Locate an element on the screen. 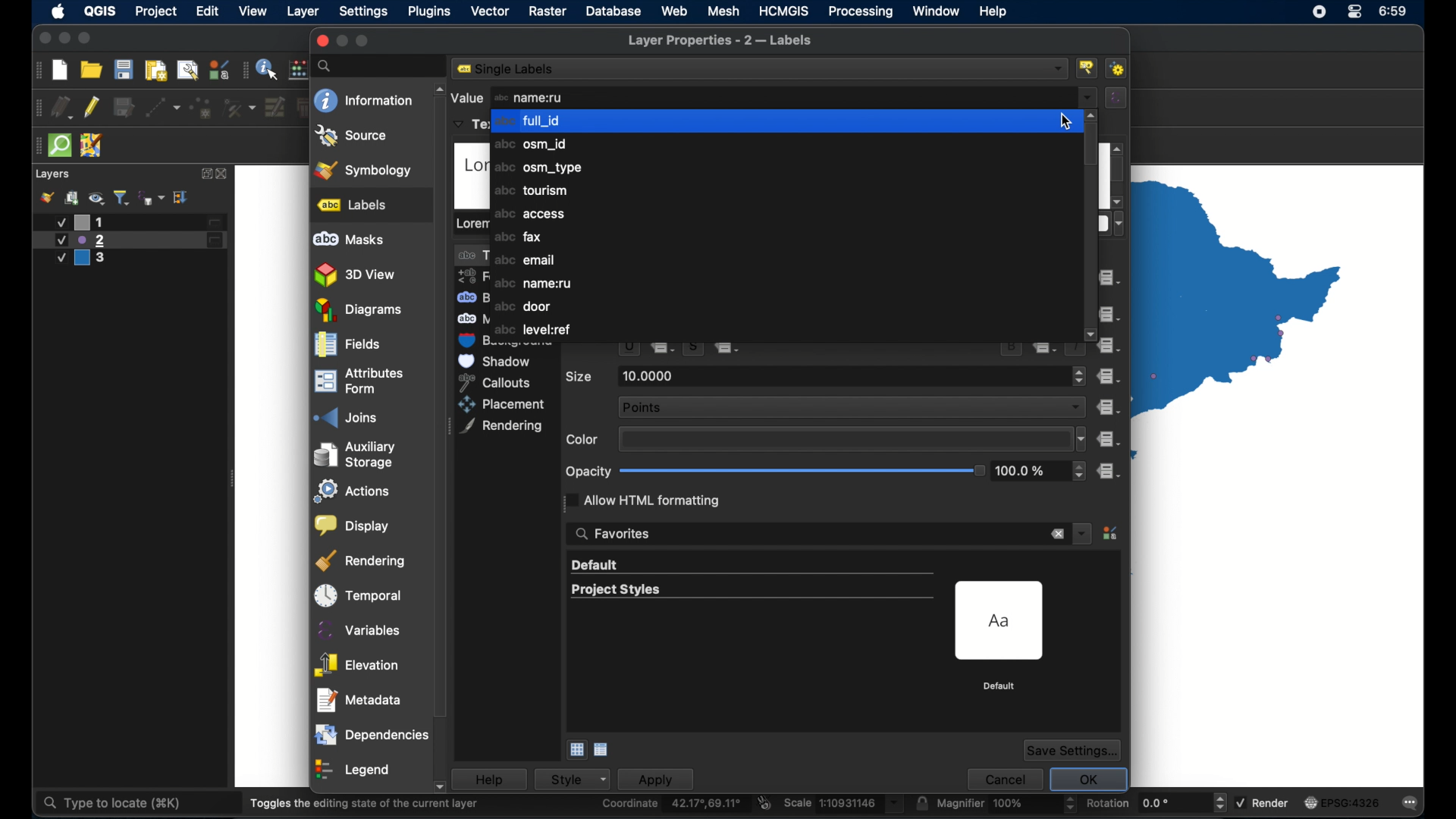 The image size is (1456, 819). abc masks is located at coordinates (350, 240).